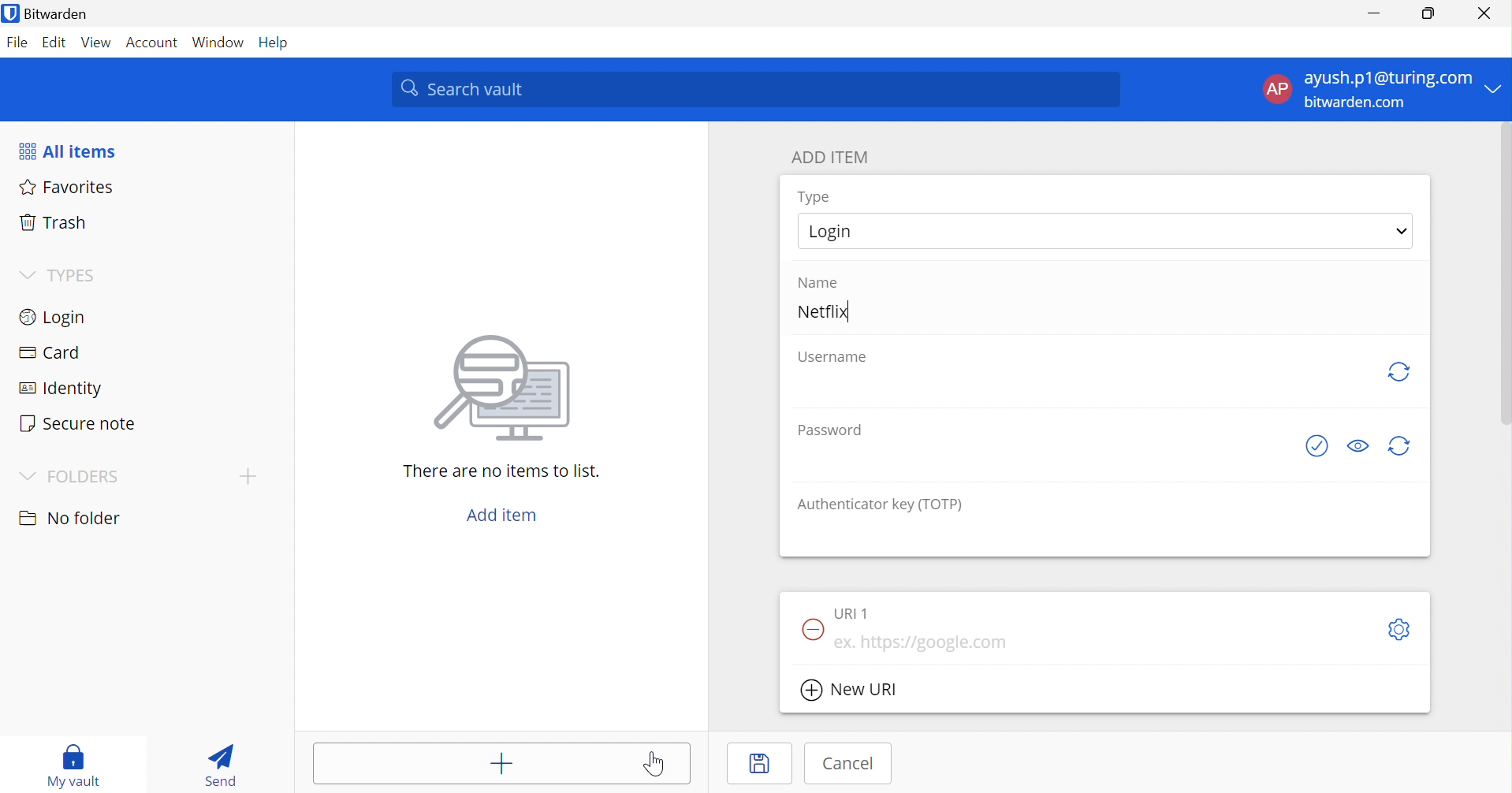 The image size is (1512, 793). Describe the element at coordinates (73, 765) in the screenshot. I see `My vault` at that location.